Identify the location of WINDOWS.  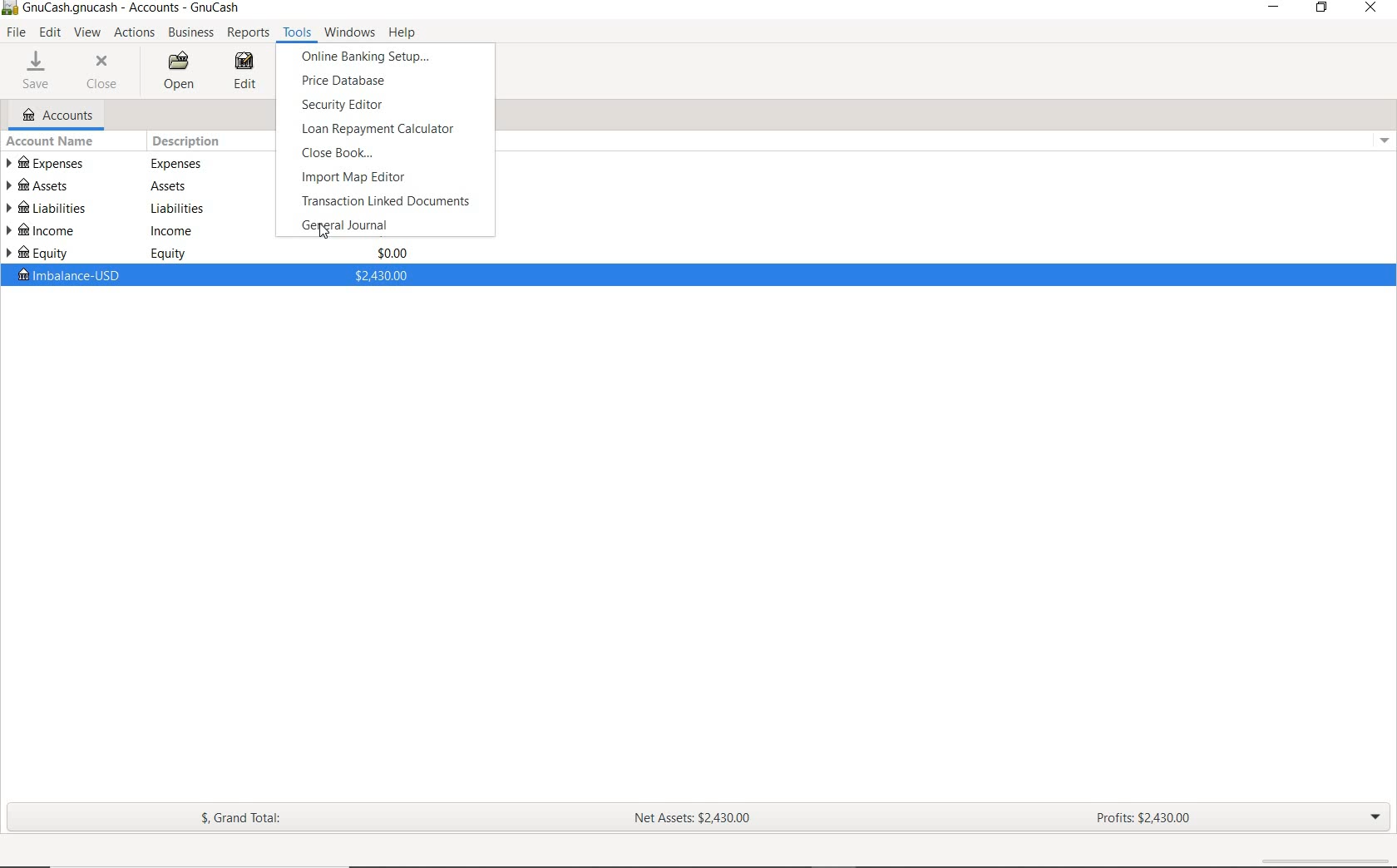
(350, 33).